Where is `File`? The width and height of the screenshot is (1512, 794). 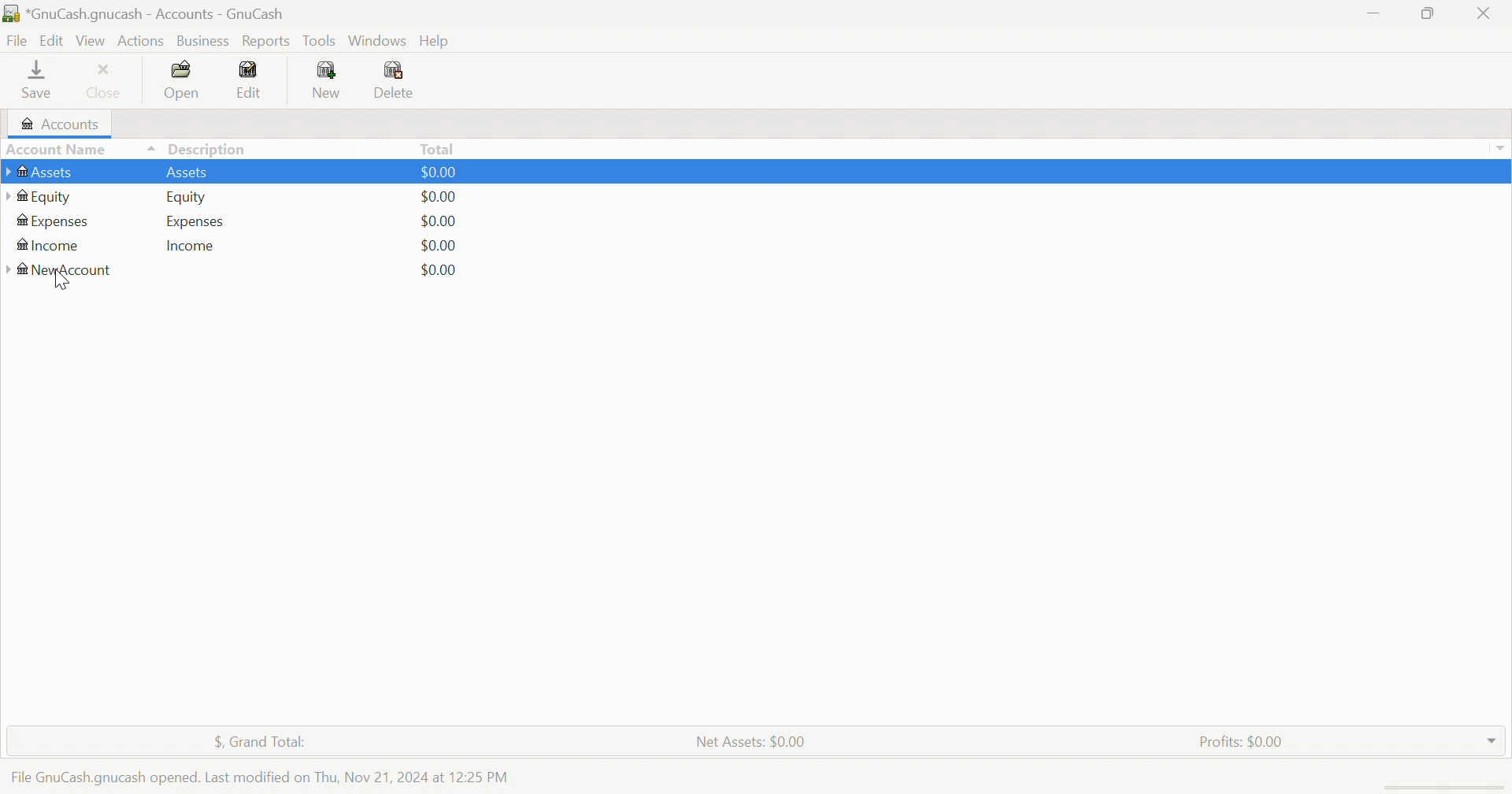 File is located at coordinates (17, 42).